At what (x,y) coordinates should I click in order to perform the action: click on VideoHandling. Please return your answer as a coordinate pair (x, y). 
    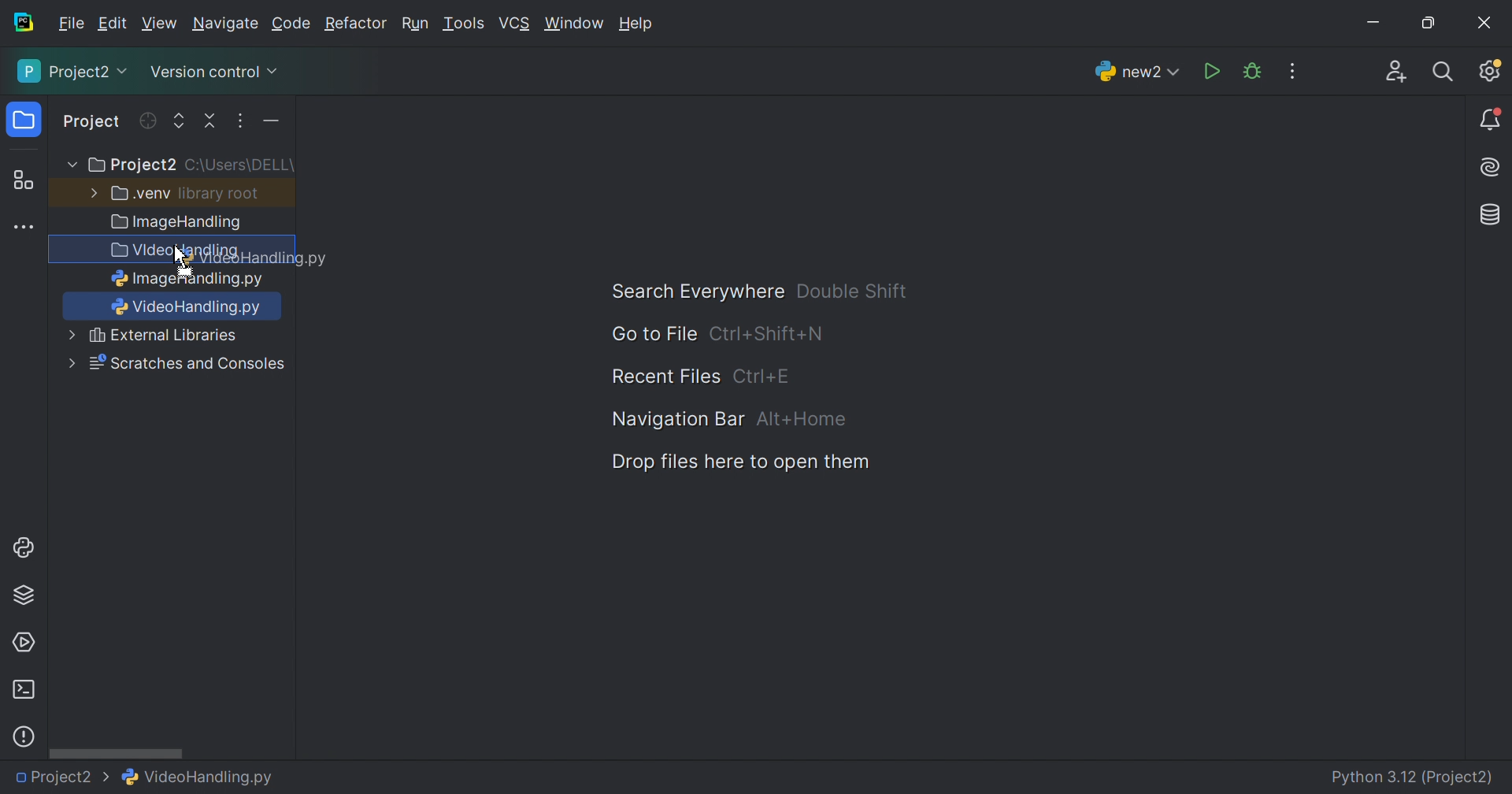
    Looking at the image, I should click on (178, 251).